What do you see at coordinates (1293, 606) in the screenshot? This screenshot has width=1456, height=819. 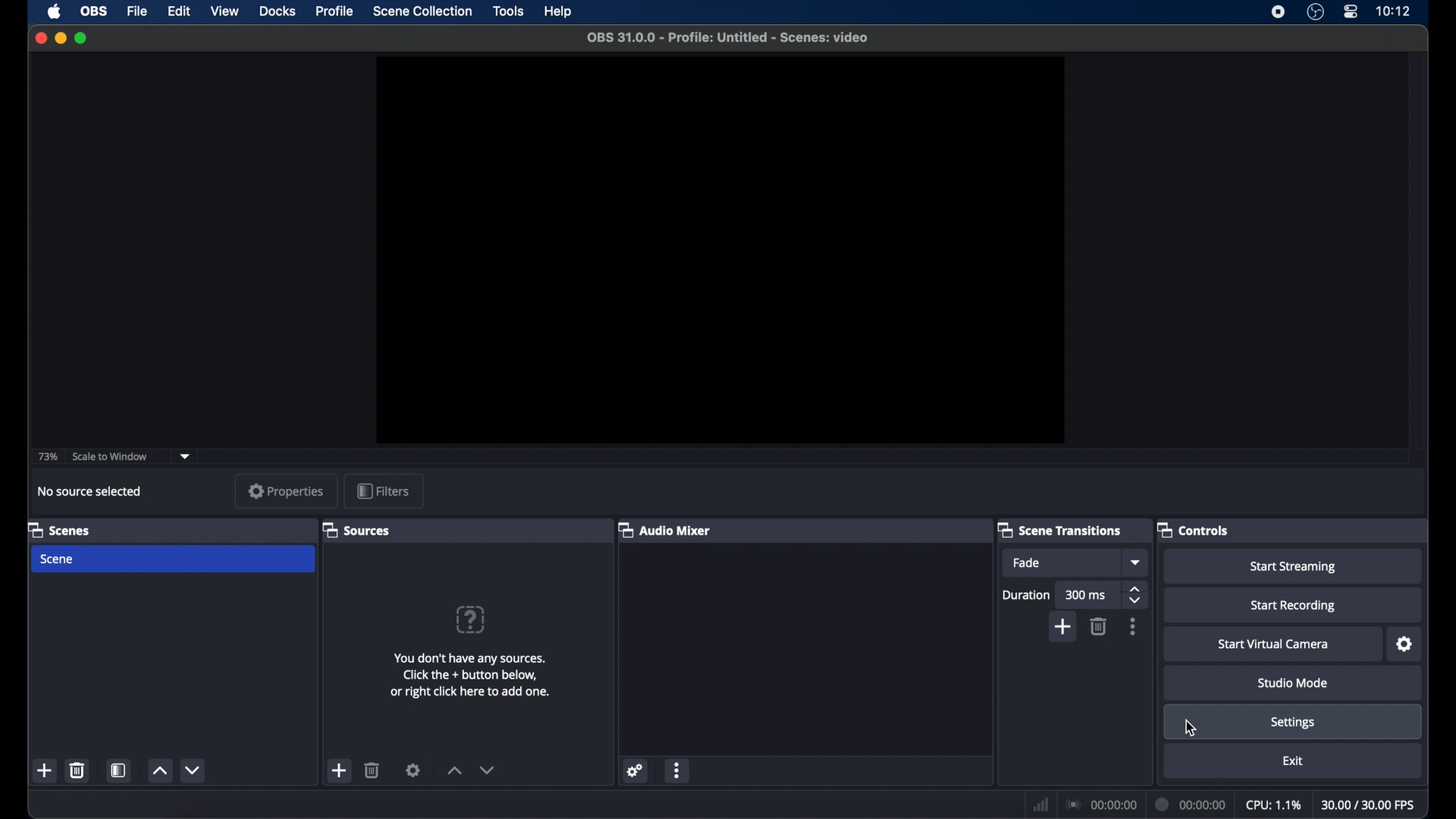 I see `start recording` at bounding box center [1293, 606].